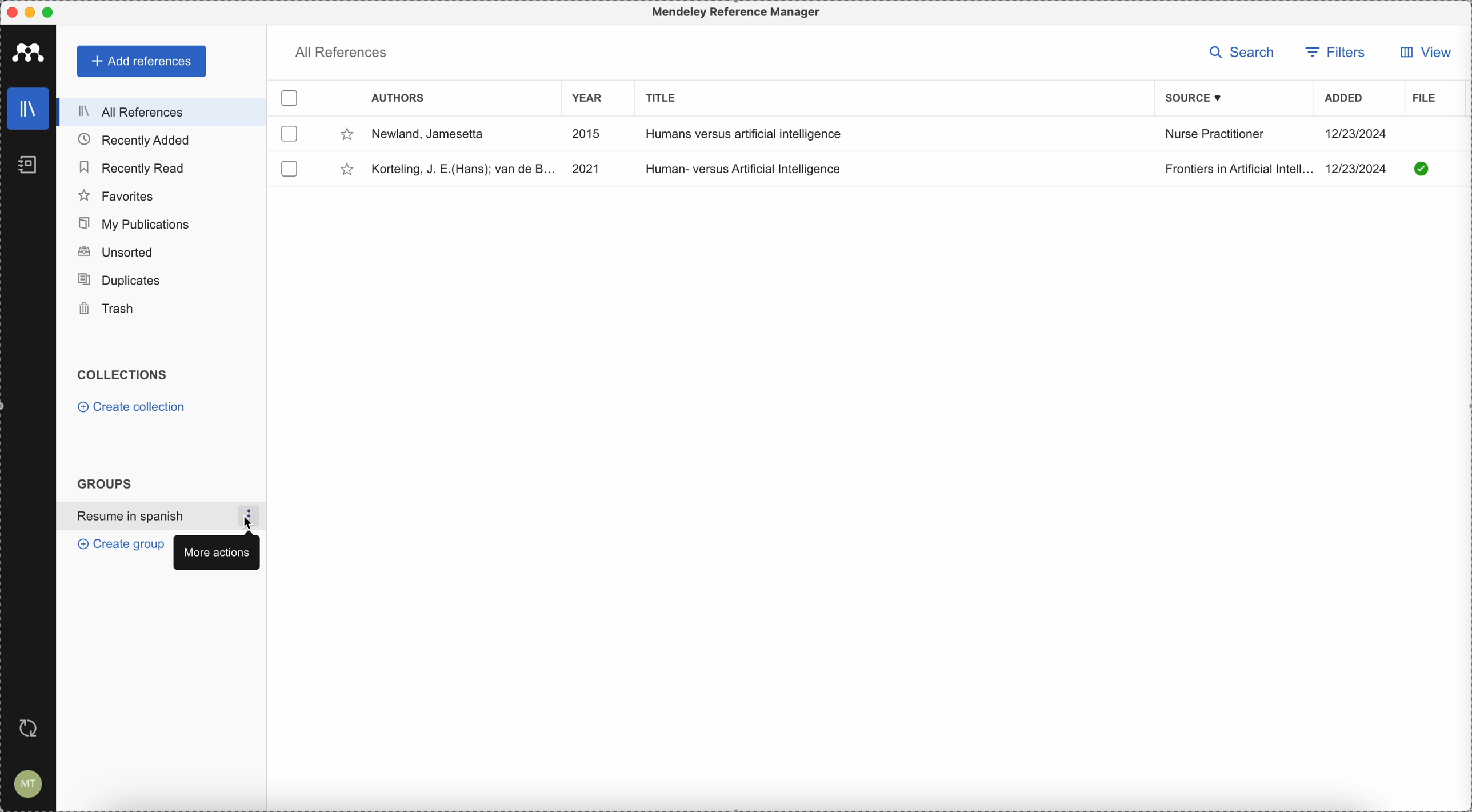 This screenshot has height=812, width=1472. I want to click on source, so click(1195, 98).